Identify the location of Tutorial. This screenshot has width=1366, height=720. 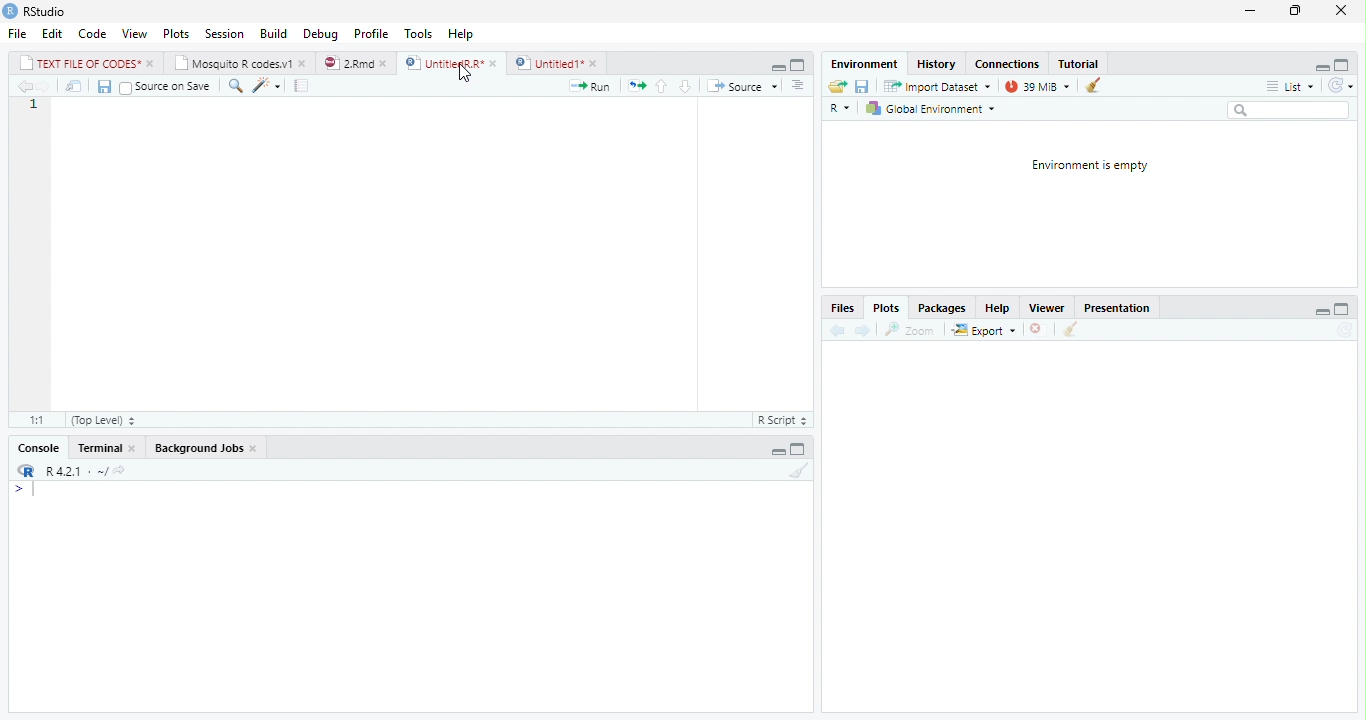
(1081, 63).